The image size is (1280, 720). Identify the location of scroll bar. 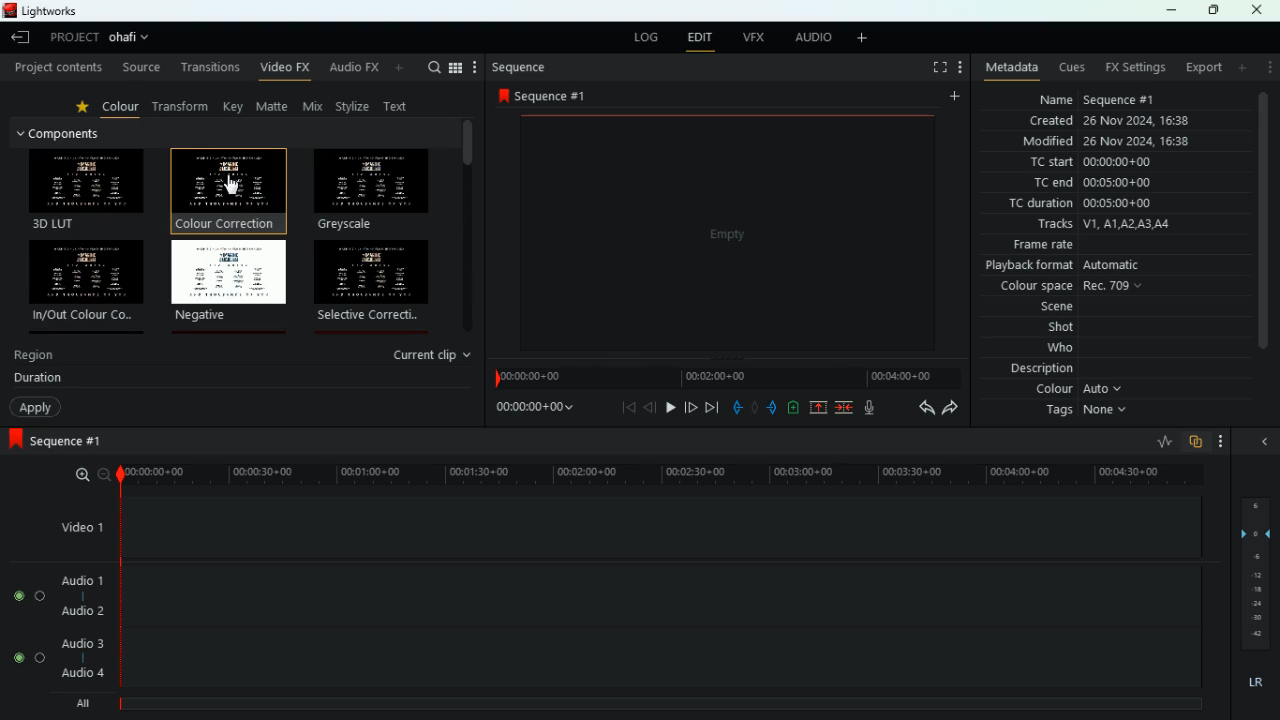
(1265, 235).